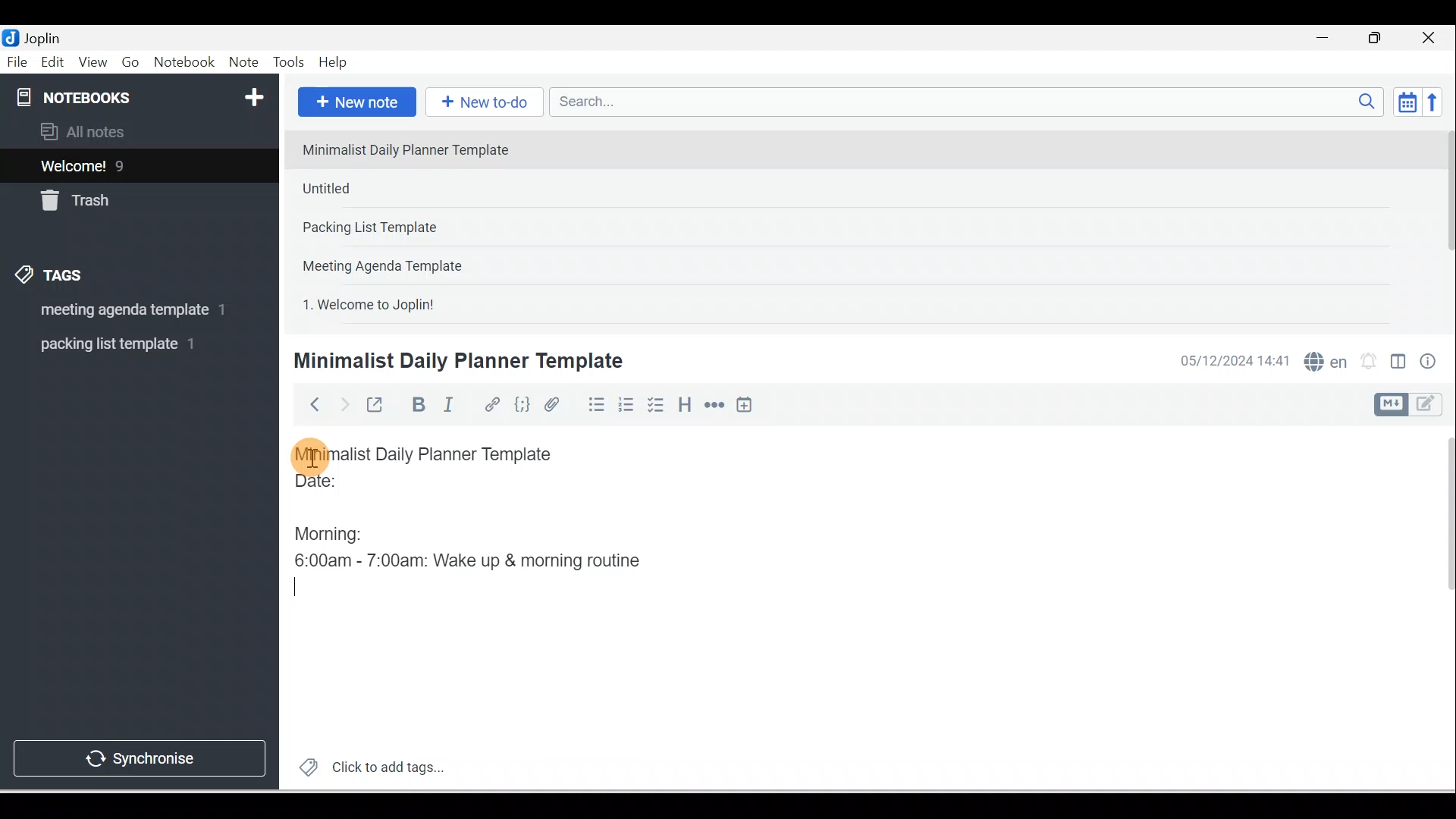 The image size is (1456, 819). Describe the element at coordinates (377, 408) in the screenshot. I see `Toggle external editing` at that location.